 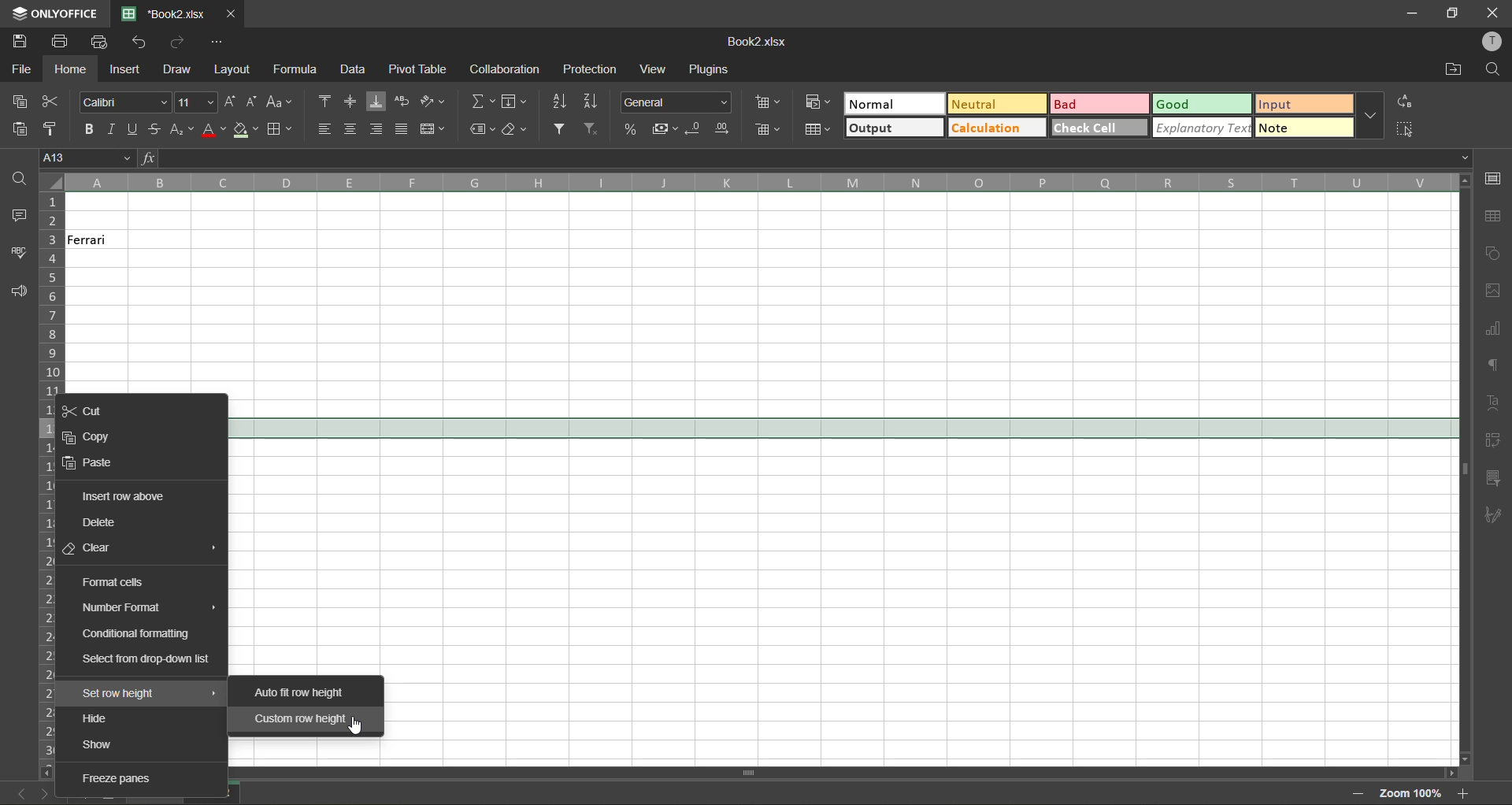 What do you see at coordinates (354, 129) in the screenshot?
I see `align center` at bounding box center [354, 129].